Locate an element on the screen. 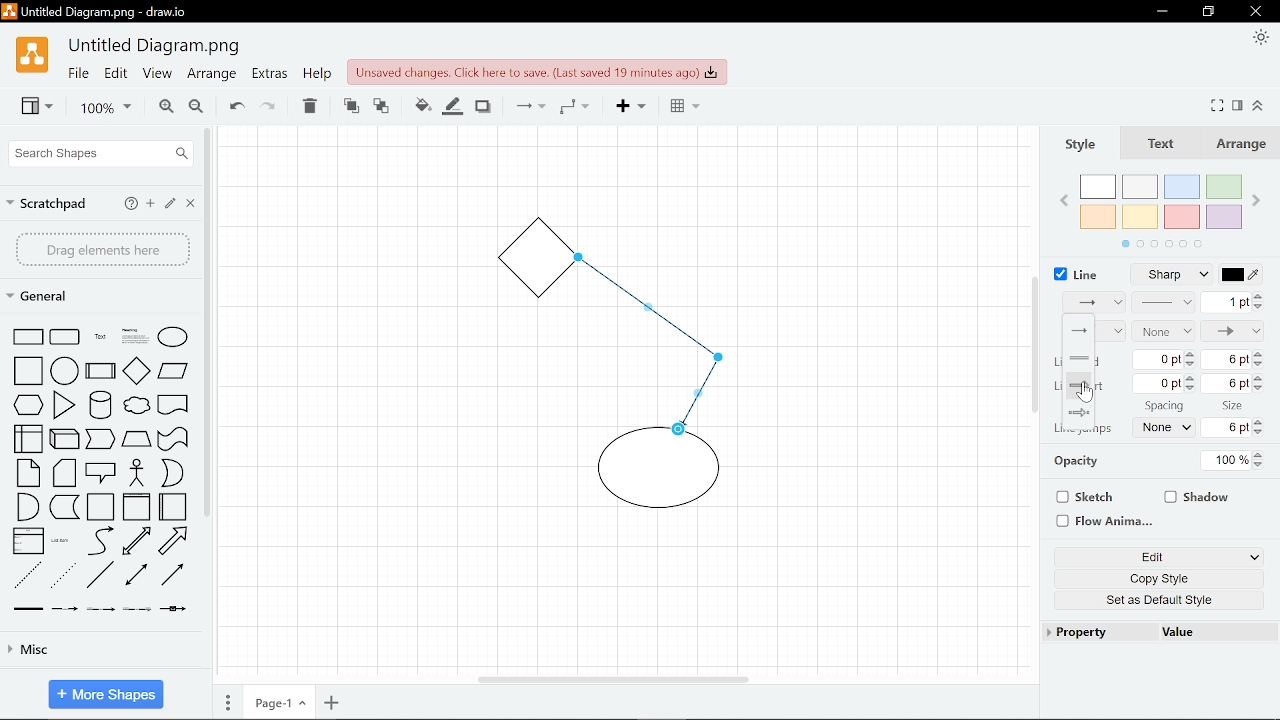 Image resolution: width=1280 pixels, height=720 pixels. More shapes is located at coordinates (105, 692).